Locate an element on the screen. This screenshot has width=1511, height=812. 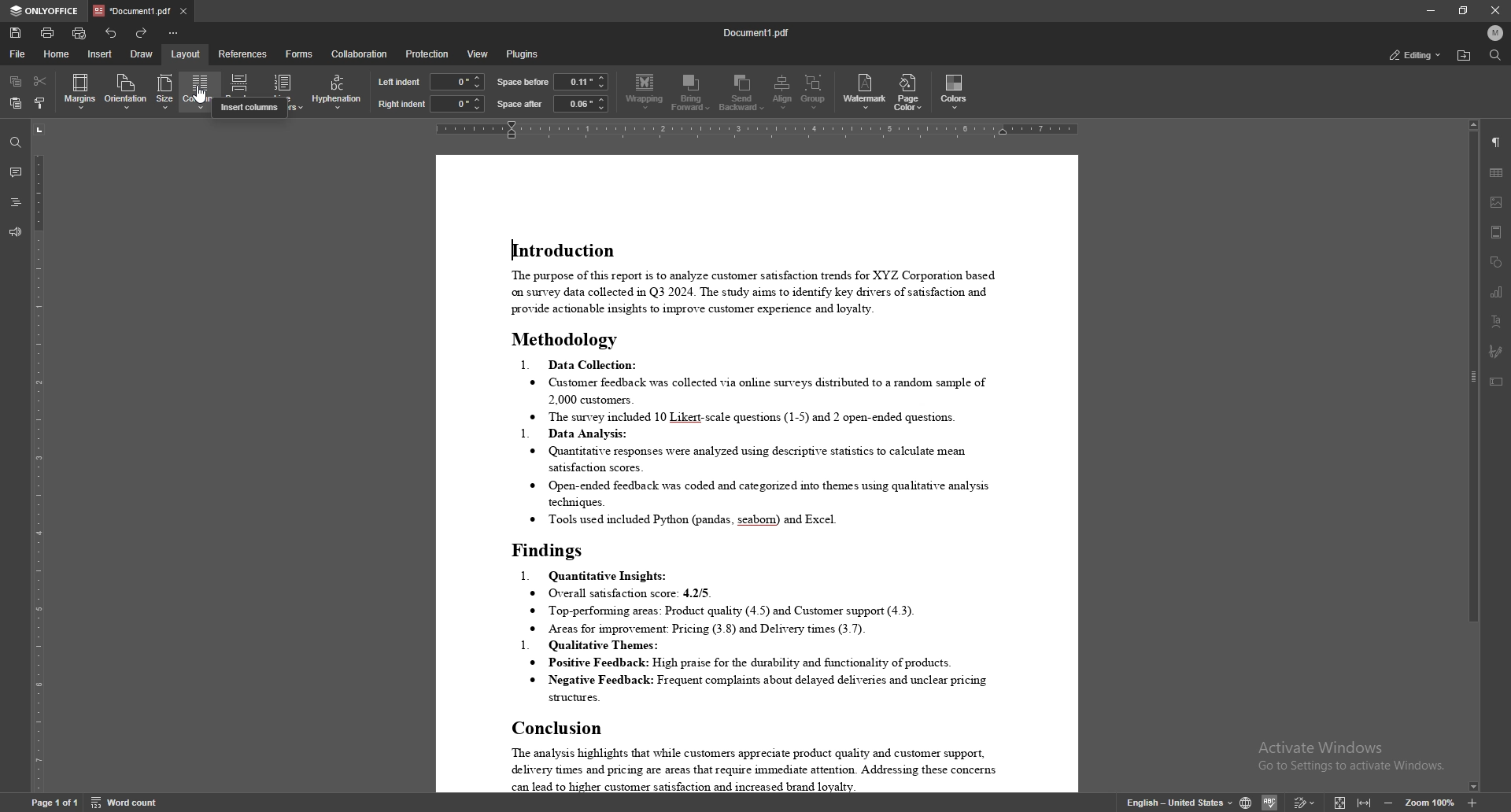
onlyoffice is located at coordinates (46, 12).